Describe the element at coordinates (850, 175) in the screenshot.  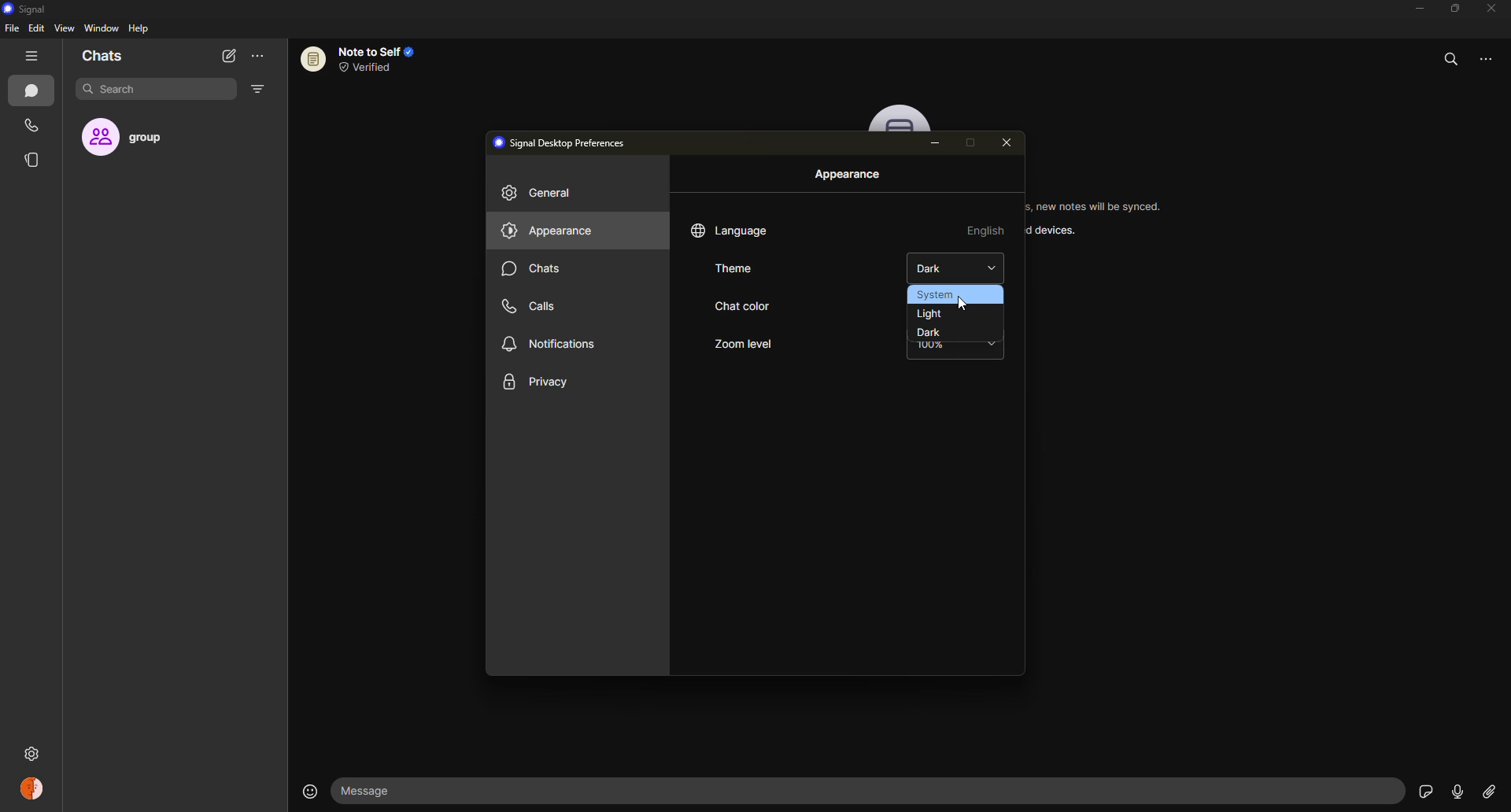
I see `appearance` at that location.